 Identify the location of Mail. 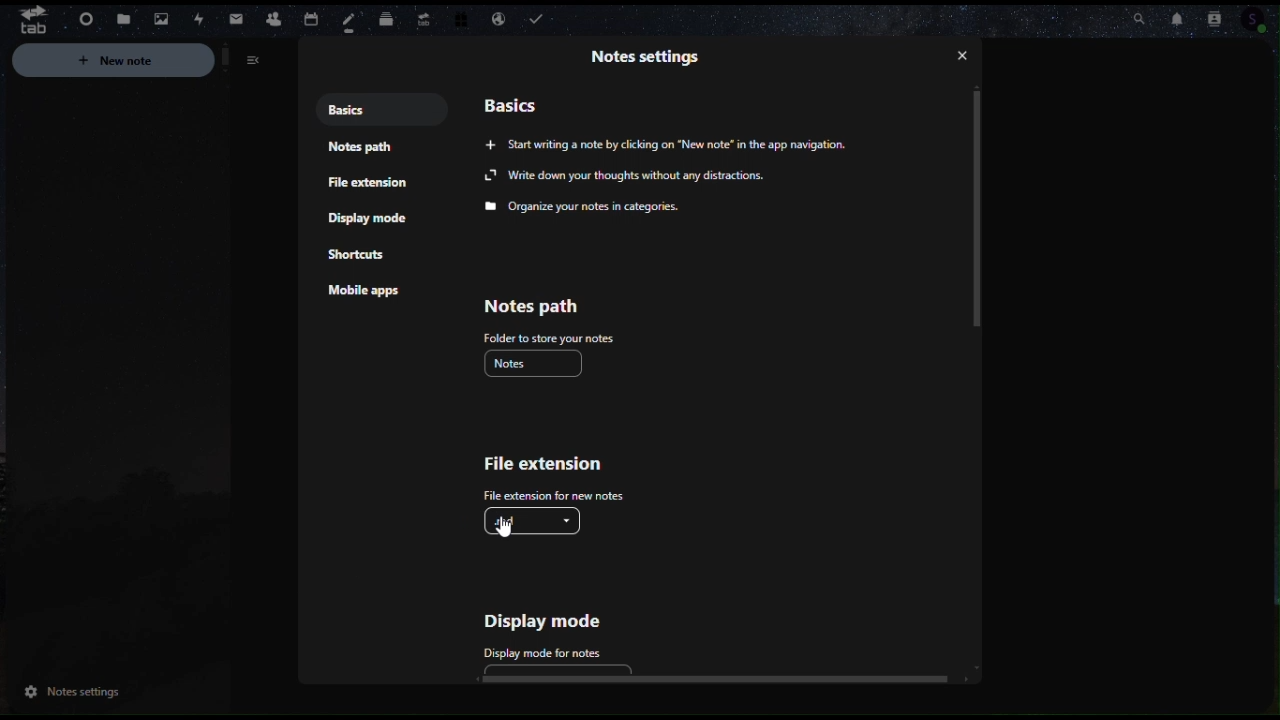
(237, 20).